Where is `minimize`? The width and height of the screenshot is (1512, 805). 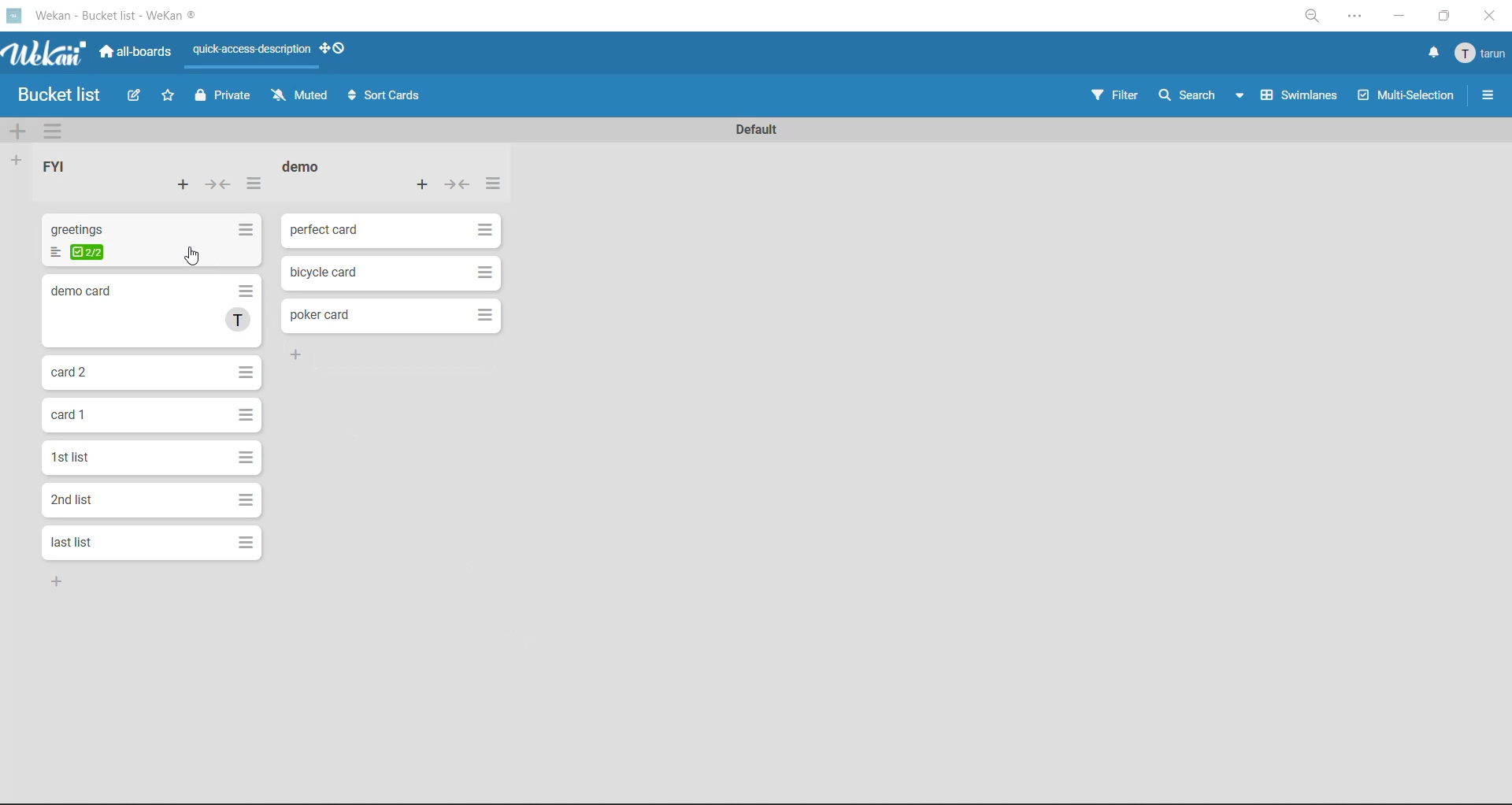
minimize is located at coordinates (1399, 14).